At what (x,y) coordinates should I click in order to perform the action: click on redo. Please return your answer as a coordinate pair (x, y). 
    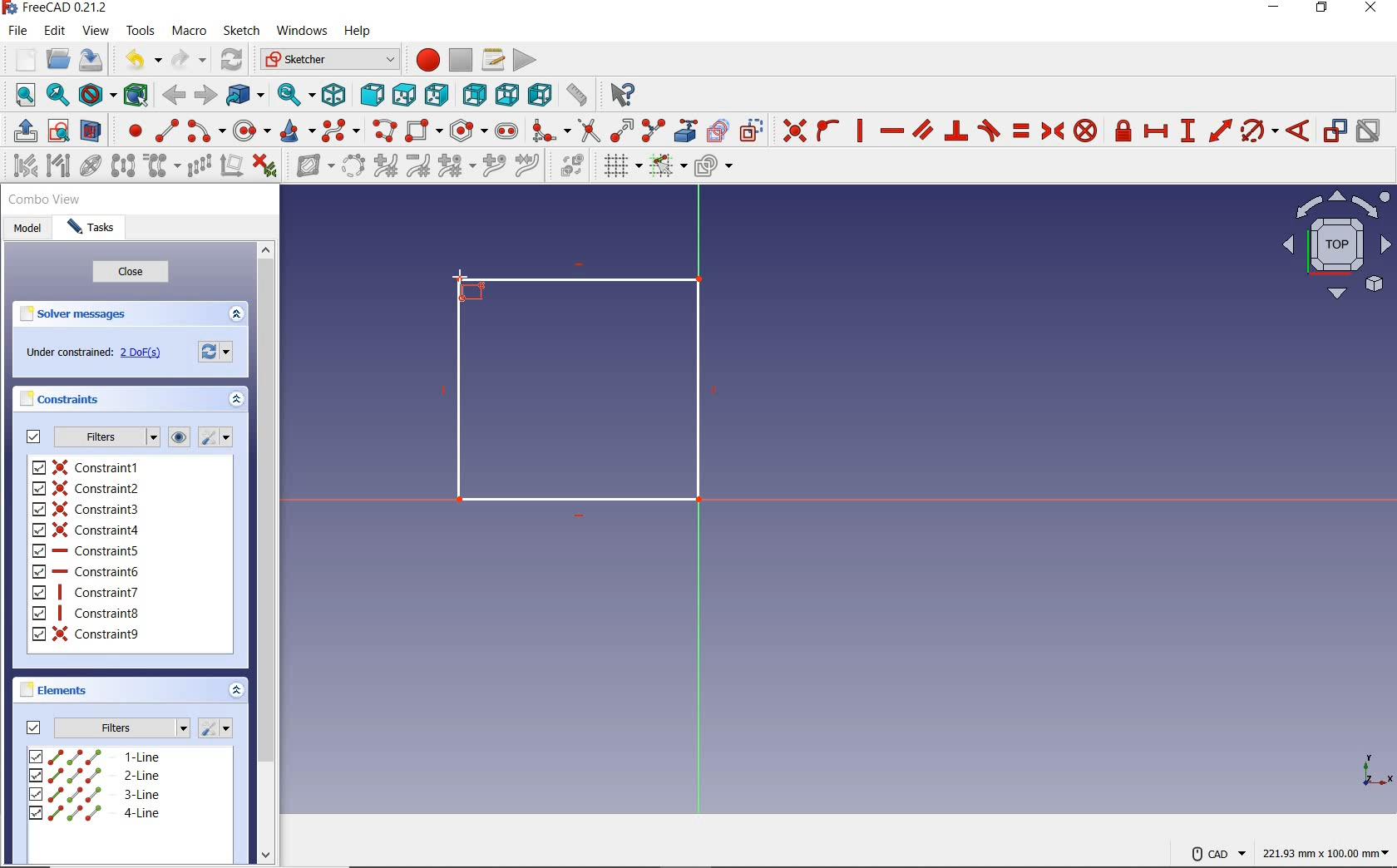
    Looking at the image, I should click on (189, 60).